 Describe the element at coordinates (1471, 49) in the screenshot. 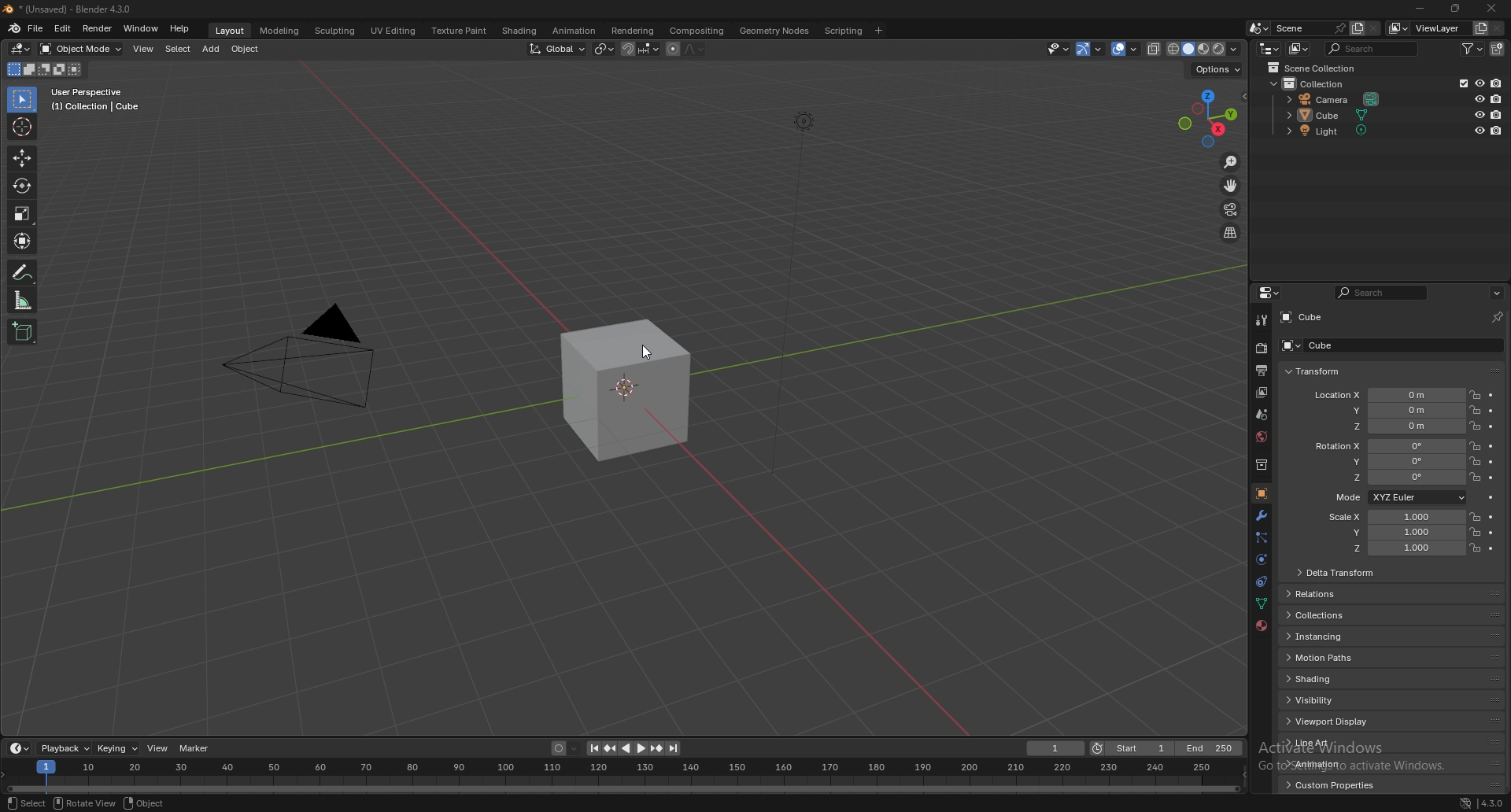

I see `filter` at that location.